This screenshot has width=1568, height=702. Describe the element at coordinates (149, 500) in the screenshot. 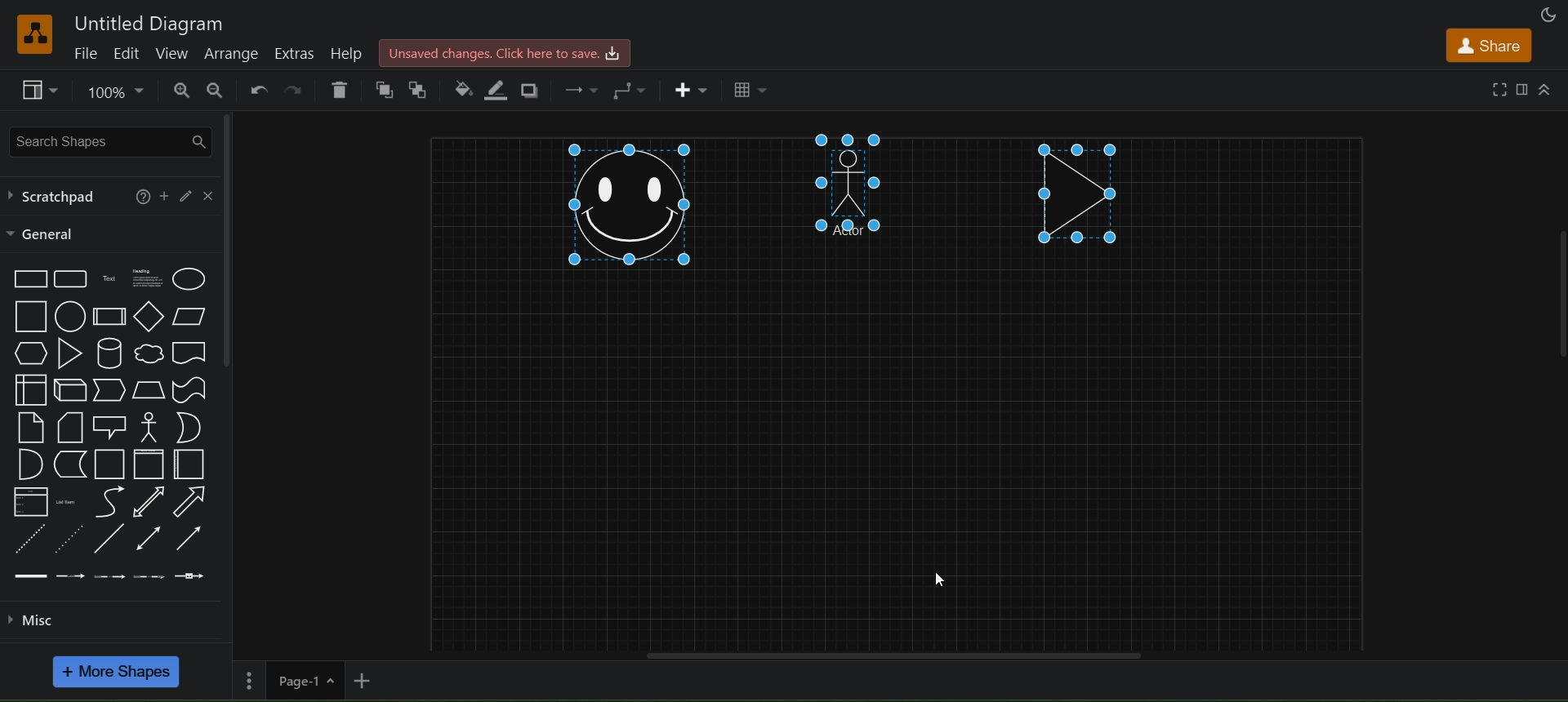

I see `bidirectional arrow` at that location.